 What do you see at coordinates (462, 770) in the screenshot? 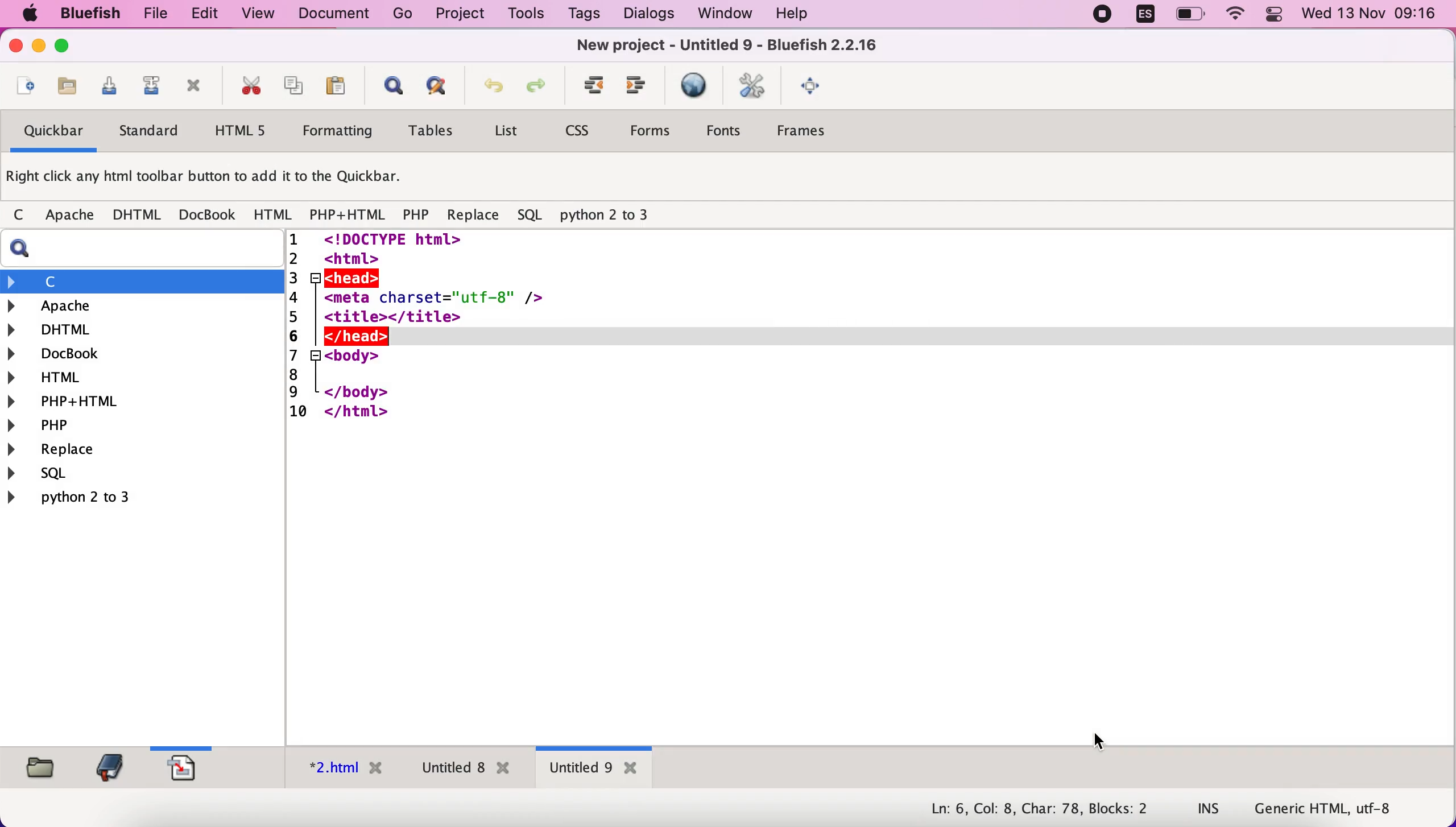
I see `tab` at bounding box center [462, 770].